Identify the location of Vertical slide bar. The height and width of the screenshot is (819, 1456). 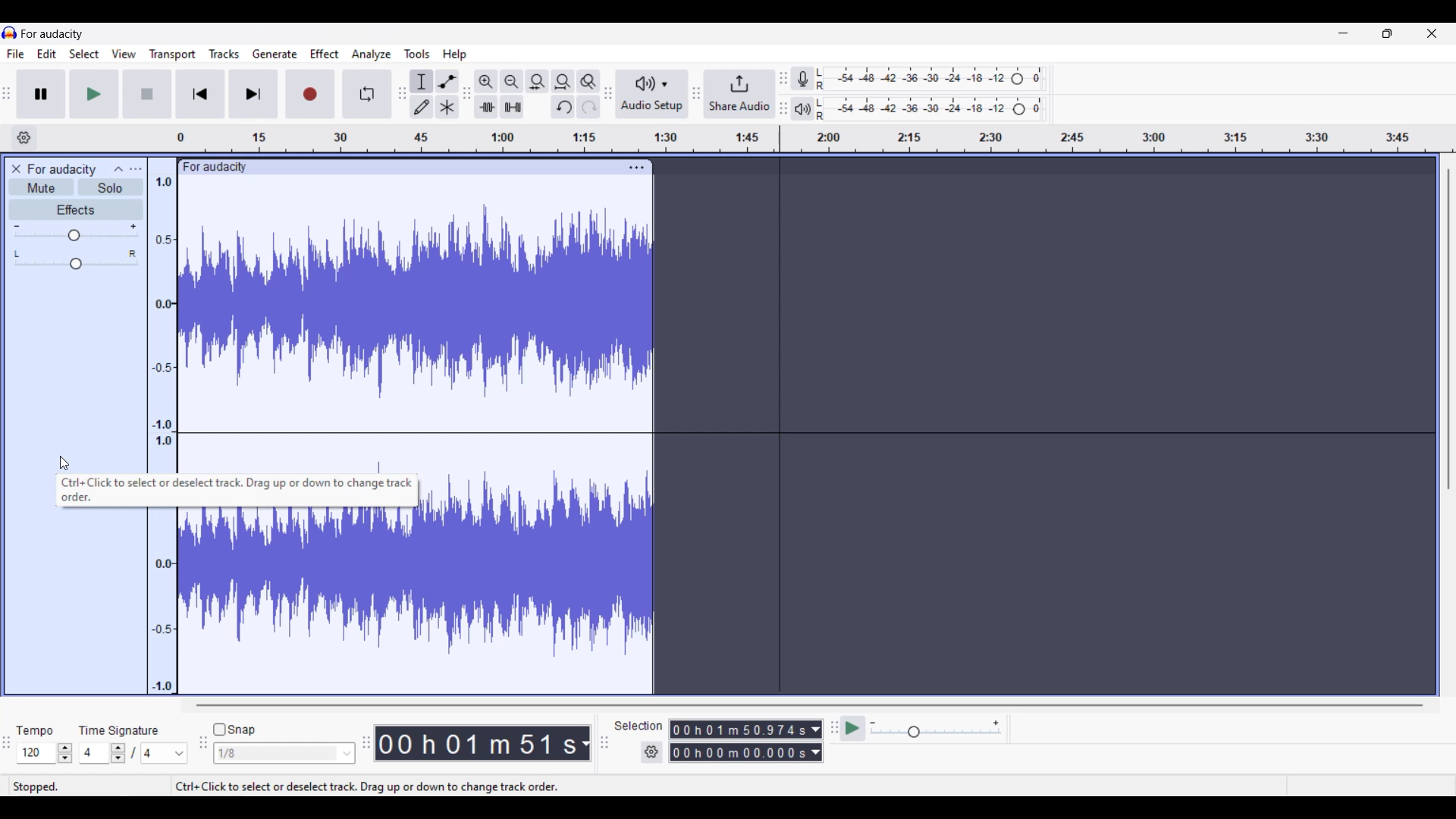
(1448, 330).